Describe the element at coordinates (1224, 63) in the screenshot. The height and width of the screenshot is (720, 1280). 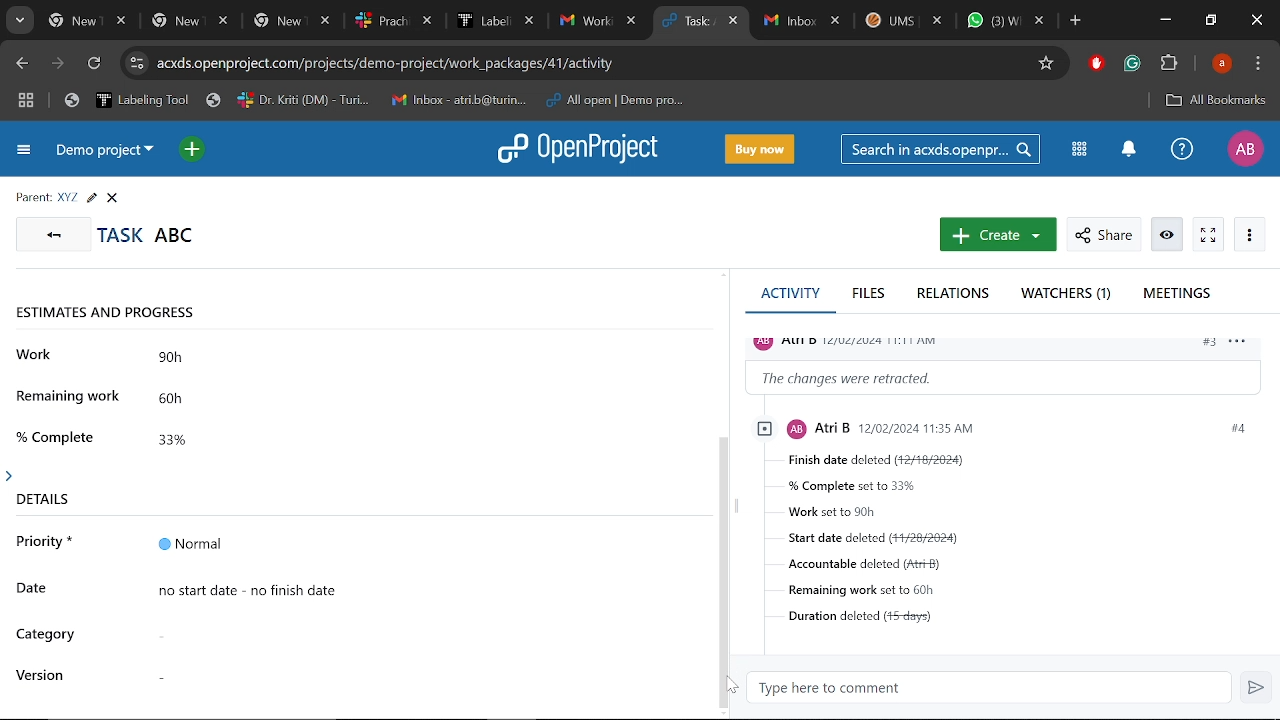
I see `Profile` at that location.